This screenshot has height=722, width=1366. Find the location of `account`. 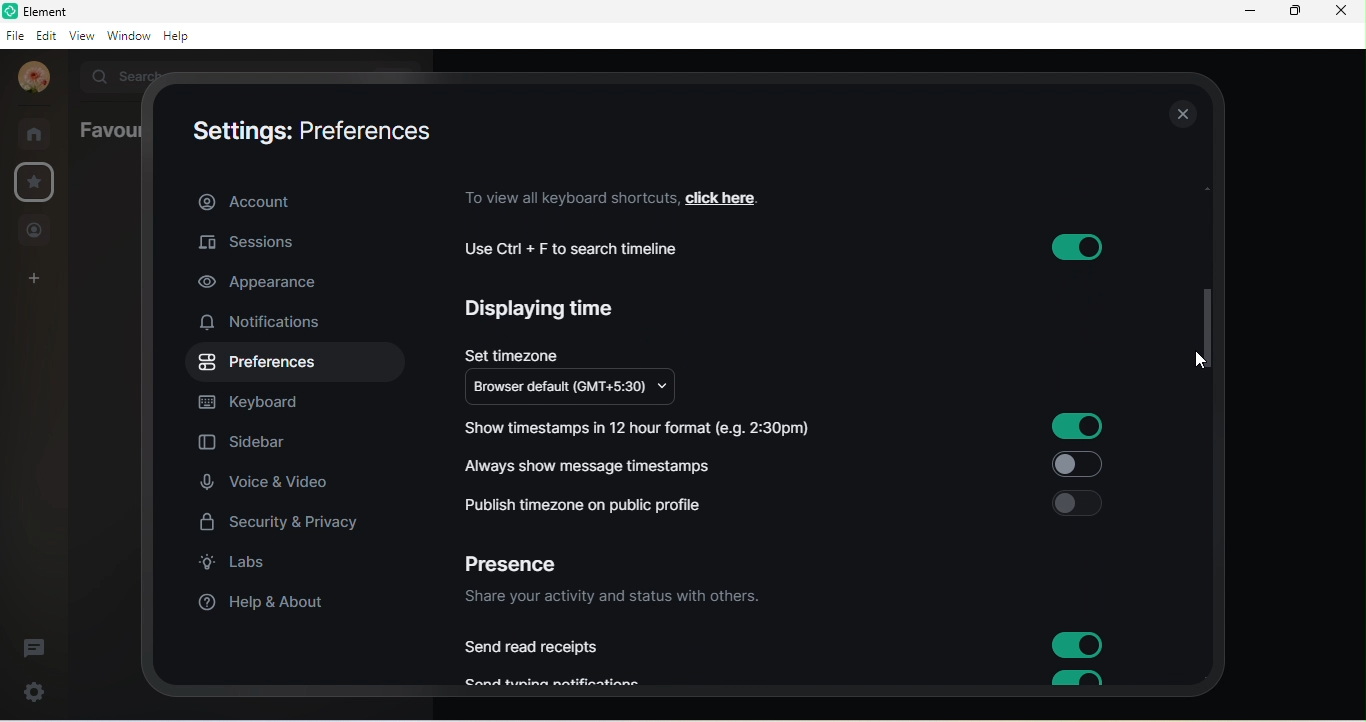

account is located at coordinates (299, 199).